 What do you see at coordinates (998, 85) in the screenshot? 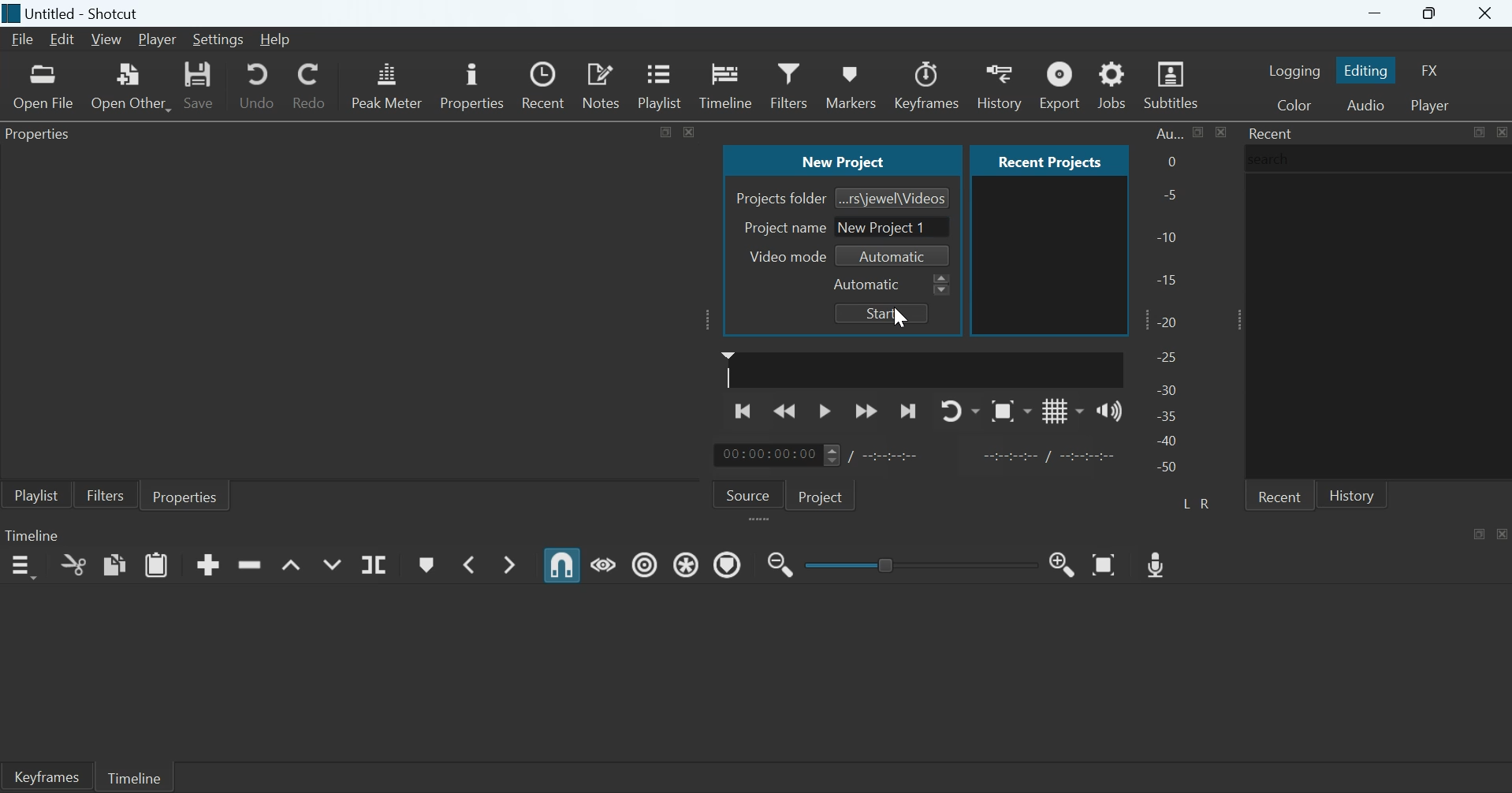
I see `History` at bounding box center [998, 85].